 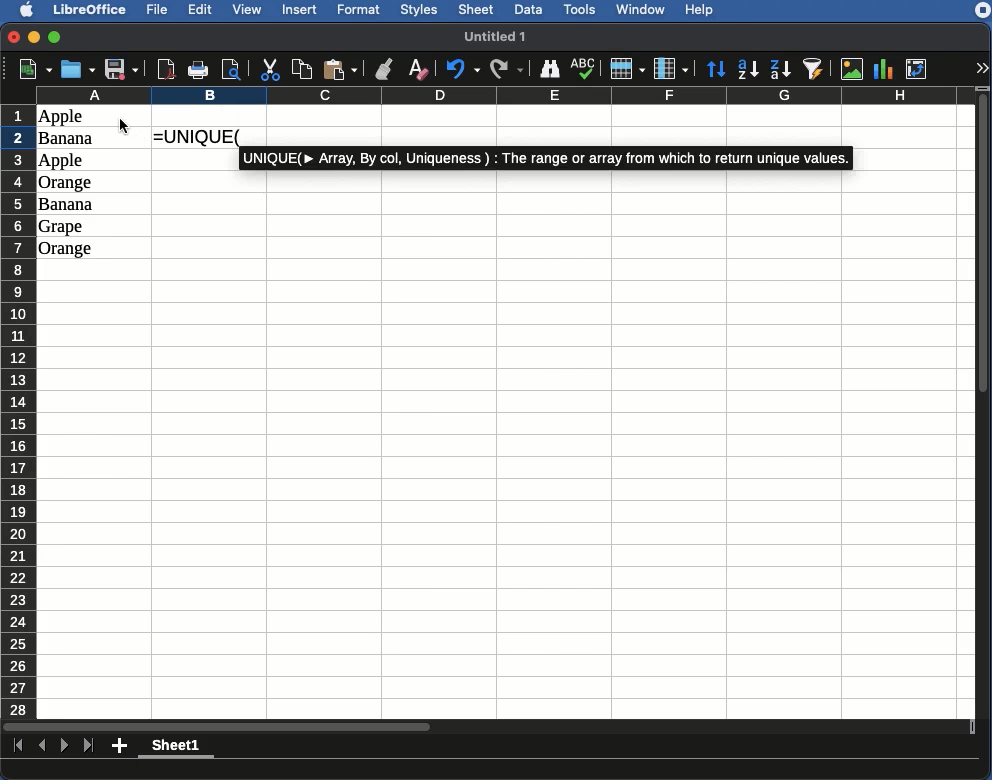 What do you see at coordinates (43, 747) in the screenshot?
I see `Previous sheet` at bounding box center [43, 747].